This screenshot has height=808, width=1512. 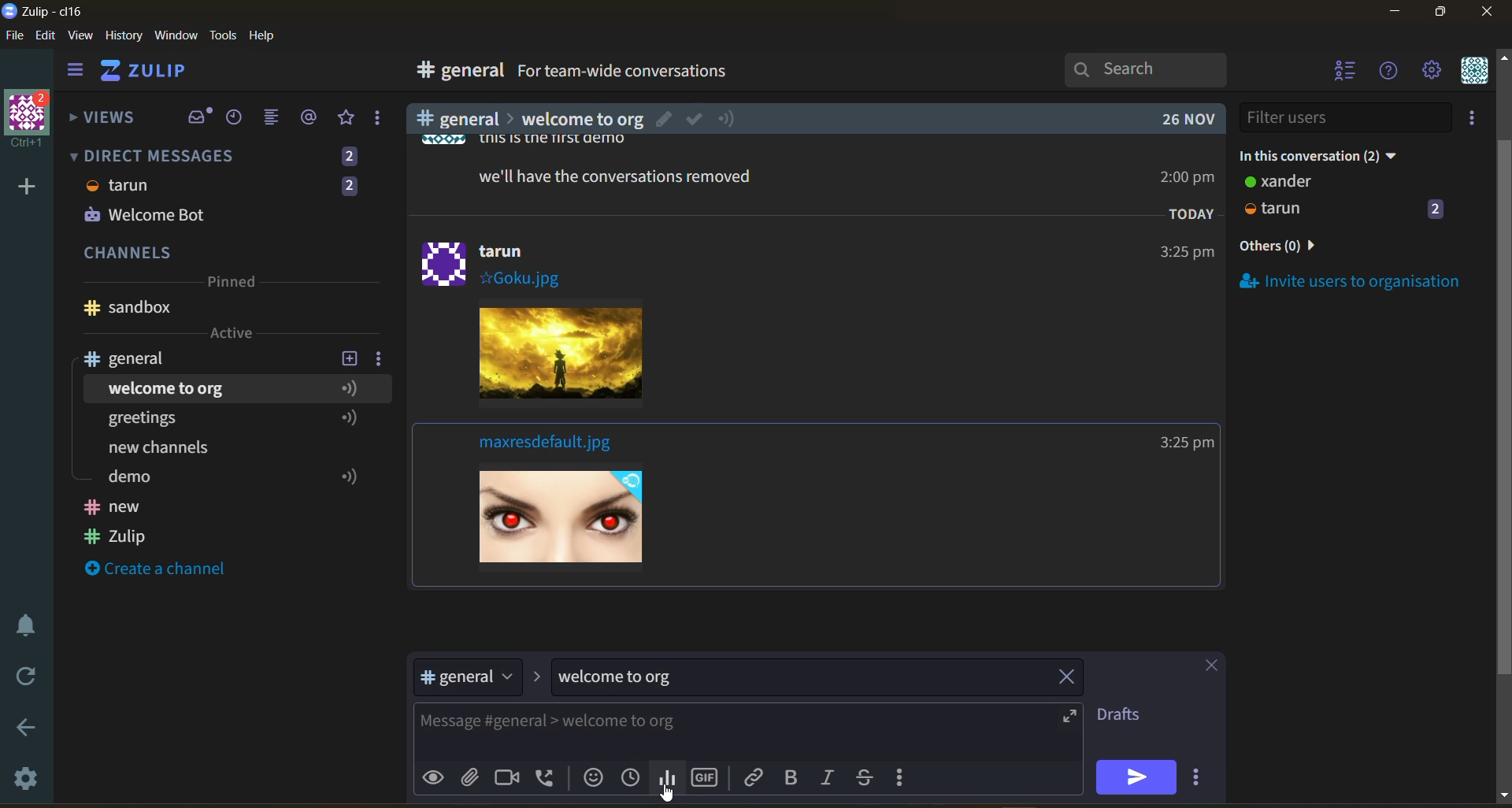 What do you see at coordinates (1136, 776) in the screenshot?
I see `send` at bounding box center [1136, 776].